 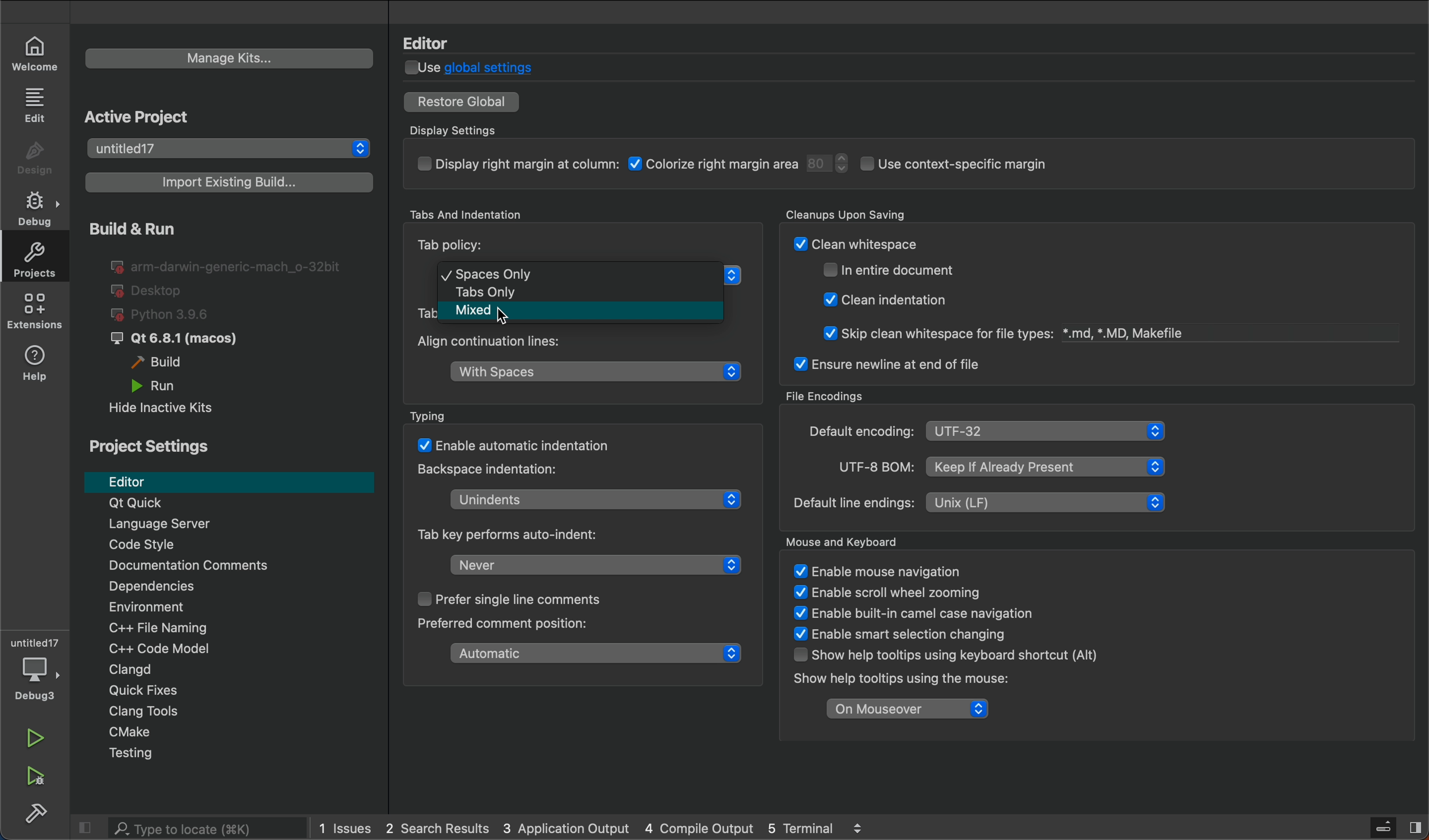 What do you see at coordinates (230, 149) in the screenshot?
I see `select project` at bounding box center [230, 149].